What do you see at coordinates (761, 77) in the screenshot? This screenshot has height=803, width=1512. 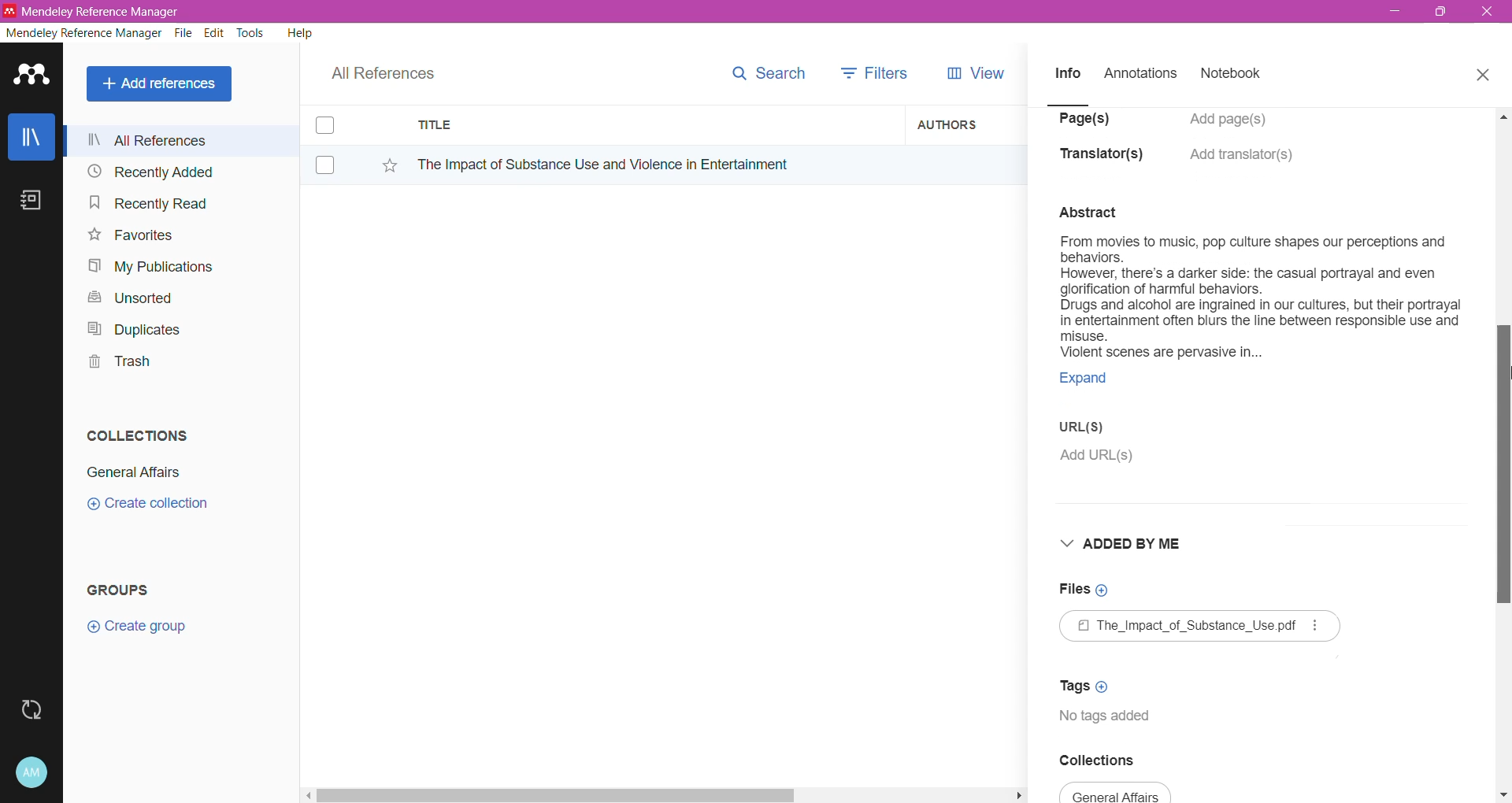 I see `Search` at bounding box center [761, 77].